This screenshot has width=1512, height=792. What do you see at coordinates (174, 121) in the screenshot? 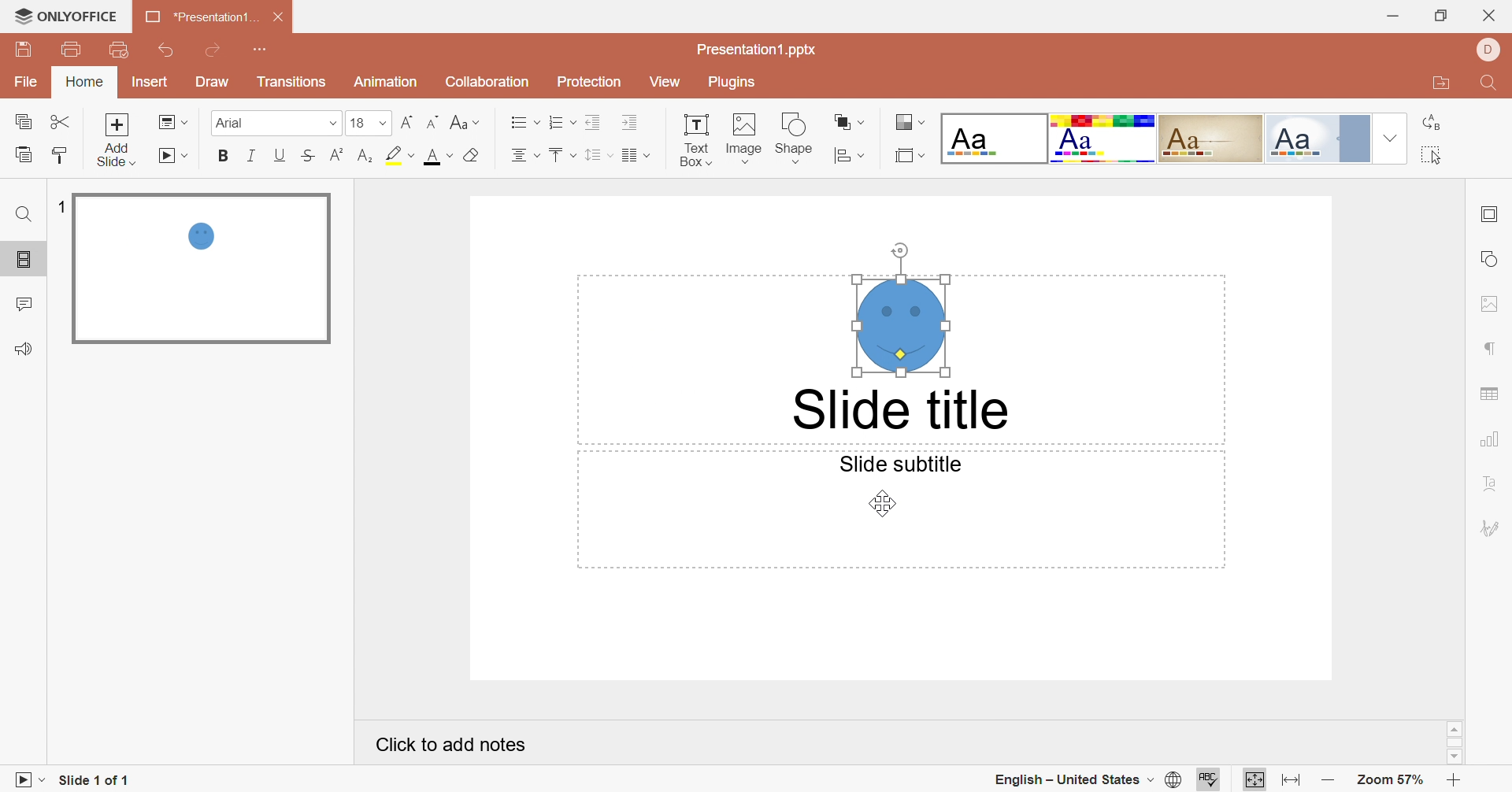
I see `Change slide layout` at bounding box center [174, 121].